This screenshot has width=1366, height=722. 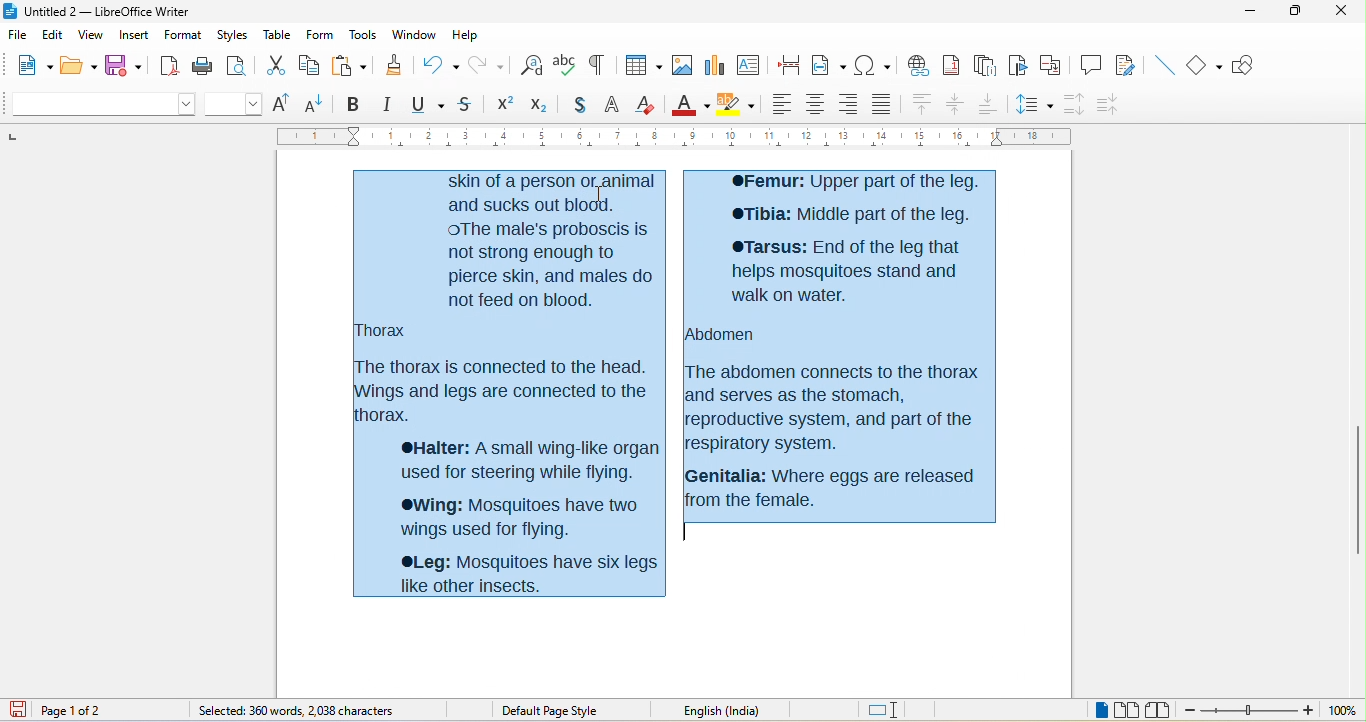 What do you see at coordinates (167, 64) in the screenshot?
I see `export directly as pdf` at bounding box center [167, 64].